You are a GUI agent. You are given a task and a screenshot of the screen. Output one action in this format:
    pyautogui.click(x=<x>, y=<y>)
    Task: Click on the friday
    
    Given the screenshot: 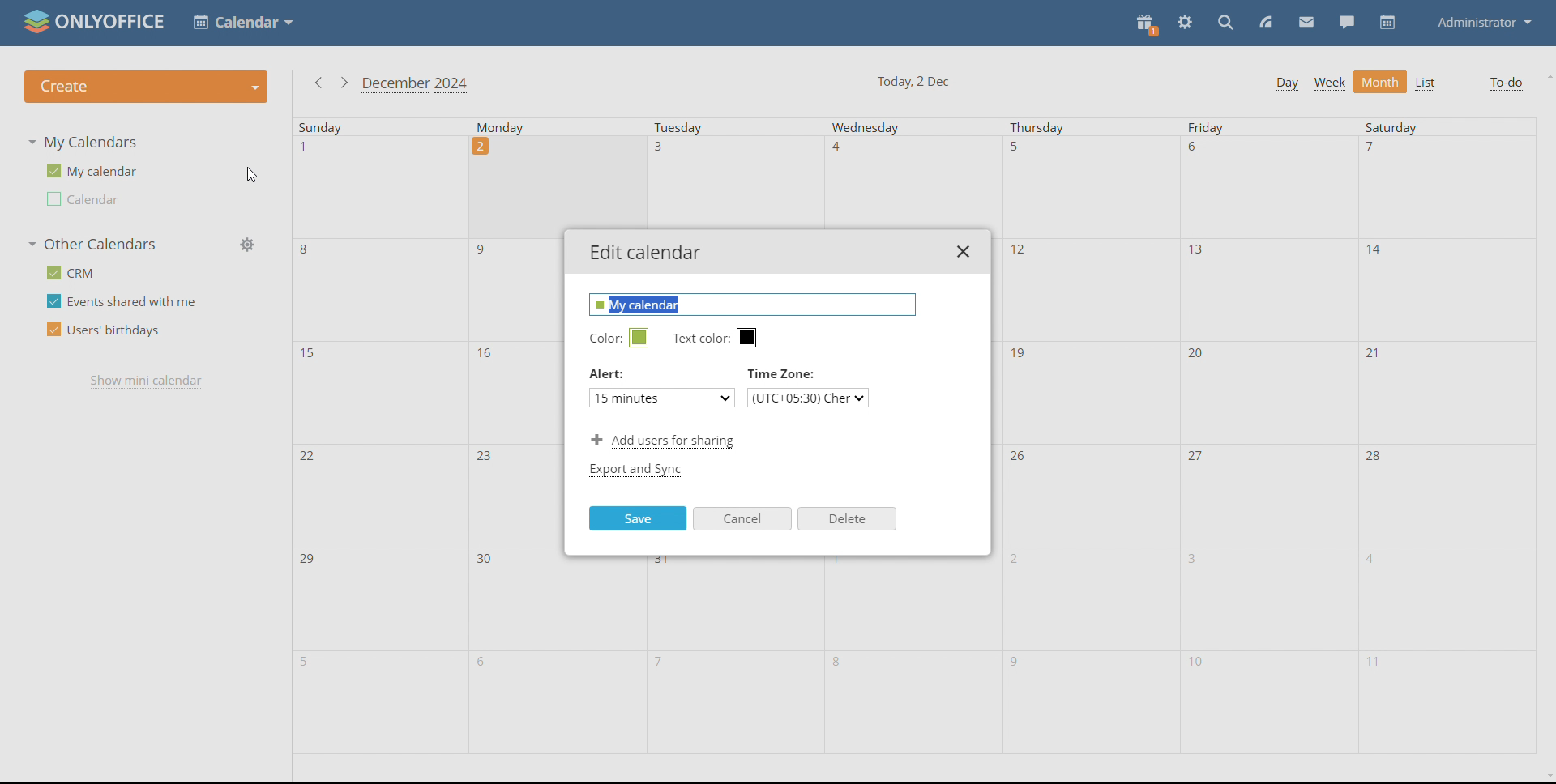 What is the action you would take?
    pyautogui.click(x=1267, y=126)
    